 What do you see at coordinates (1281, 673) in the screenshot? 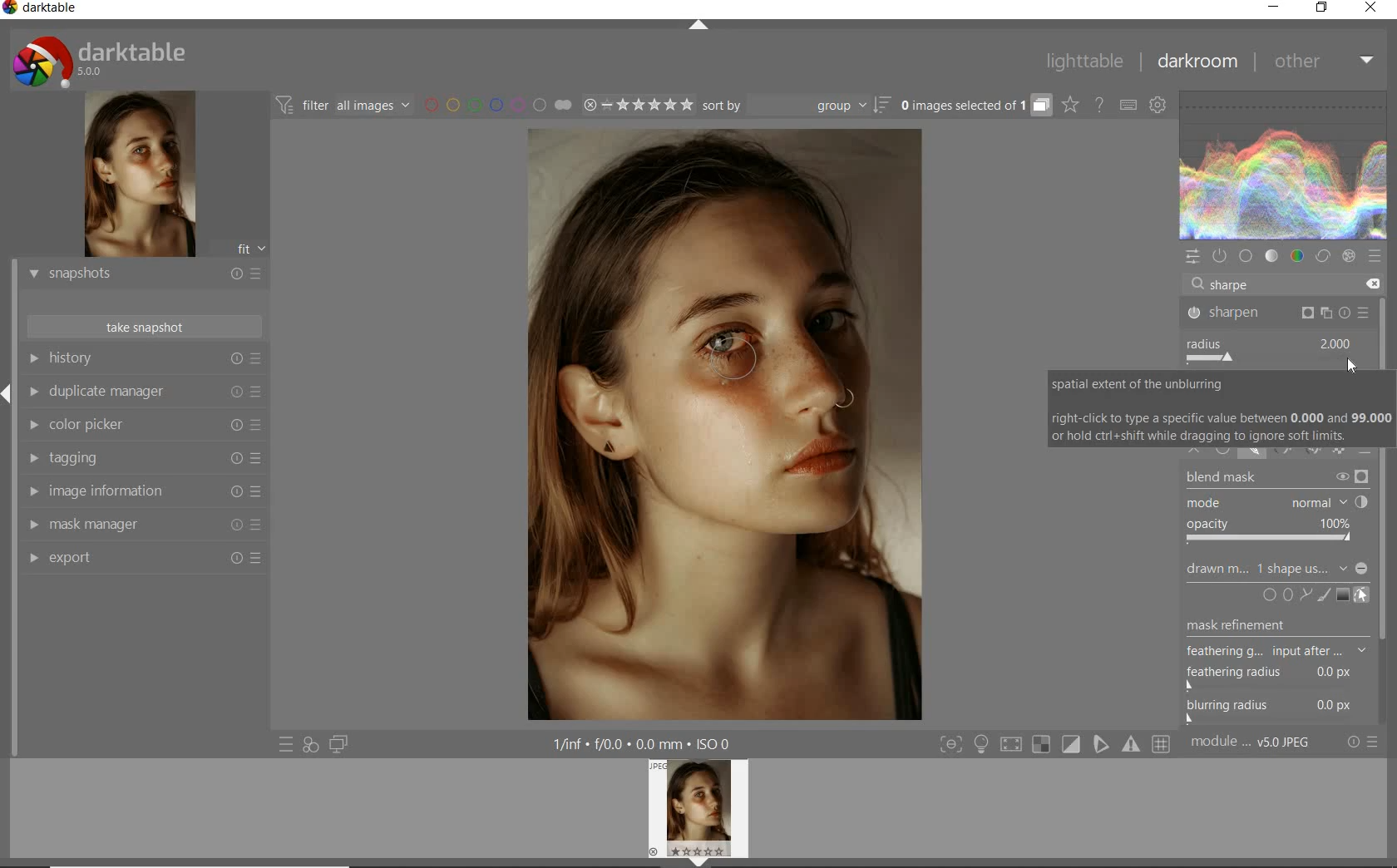
I see `FEATHERING RADIUS` at bounding box center [1281, 673].